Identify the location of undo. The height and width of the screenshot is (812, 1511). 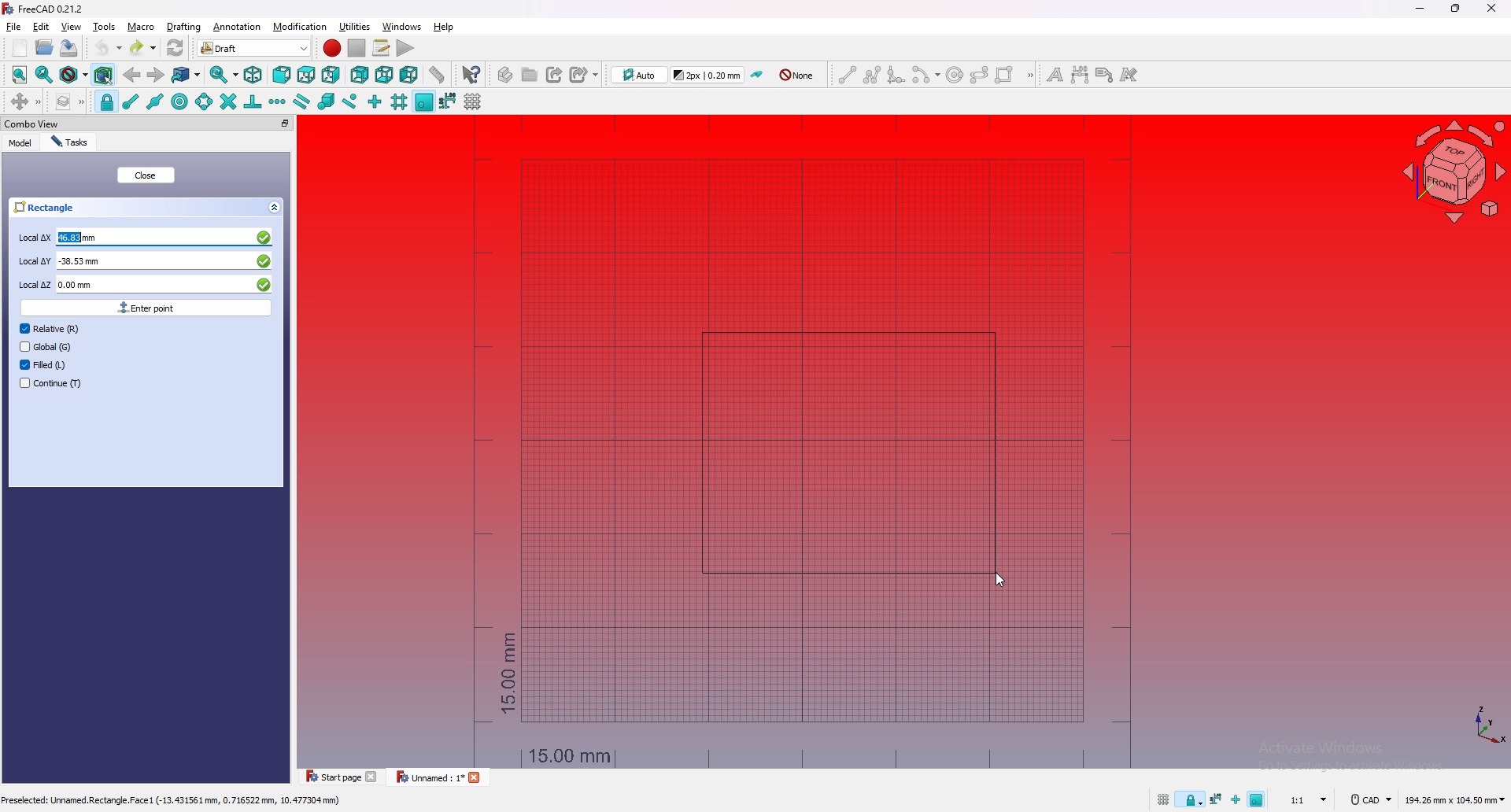
(106, 47).